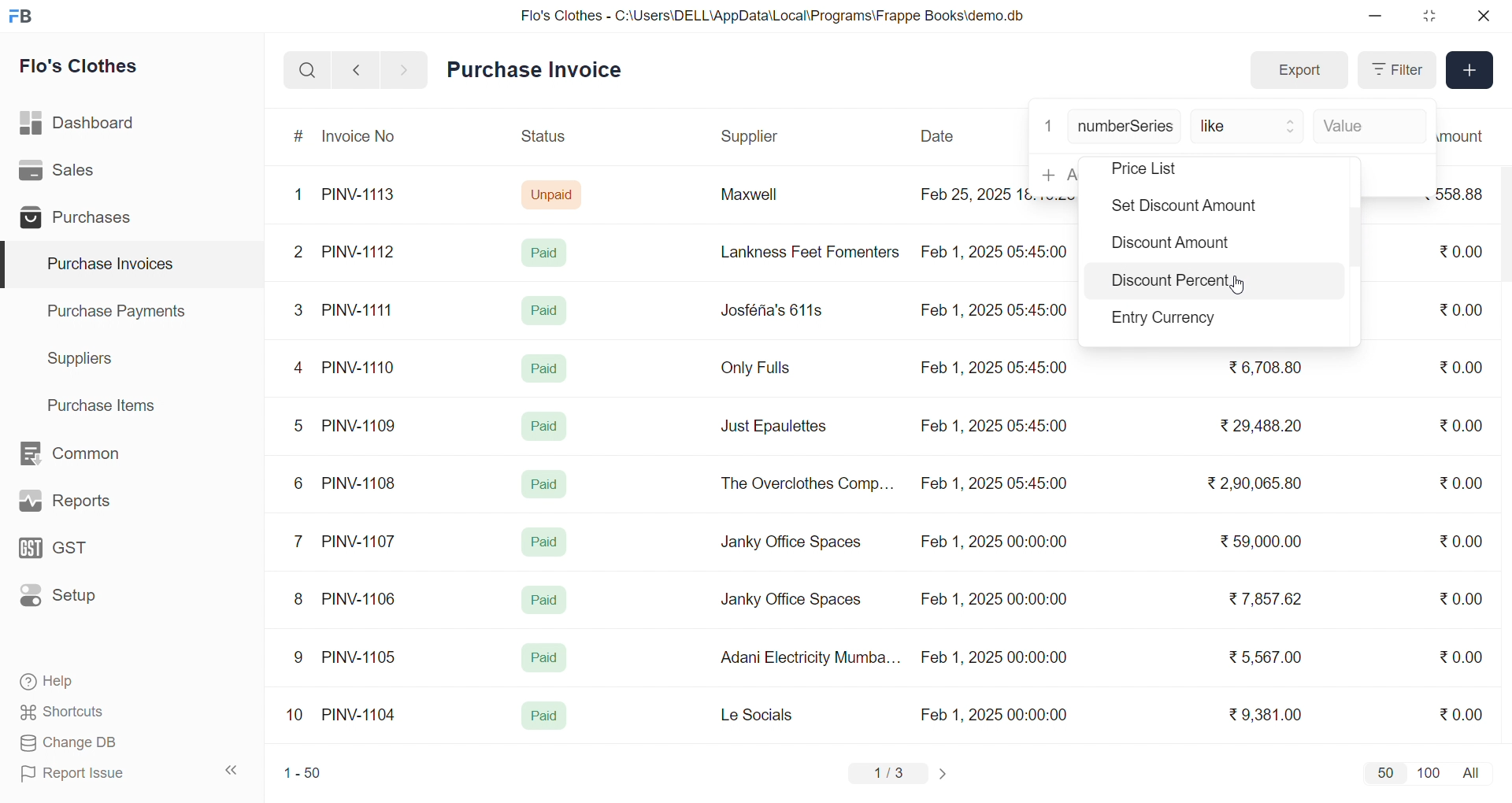 This screenshot has width=1512, height=803. Describe the element at coordinates (1461, 367) in the screenshot. I see `₹0.00` at that location.